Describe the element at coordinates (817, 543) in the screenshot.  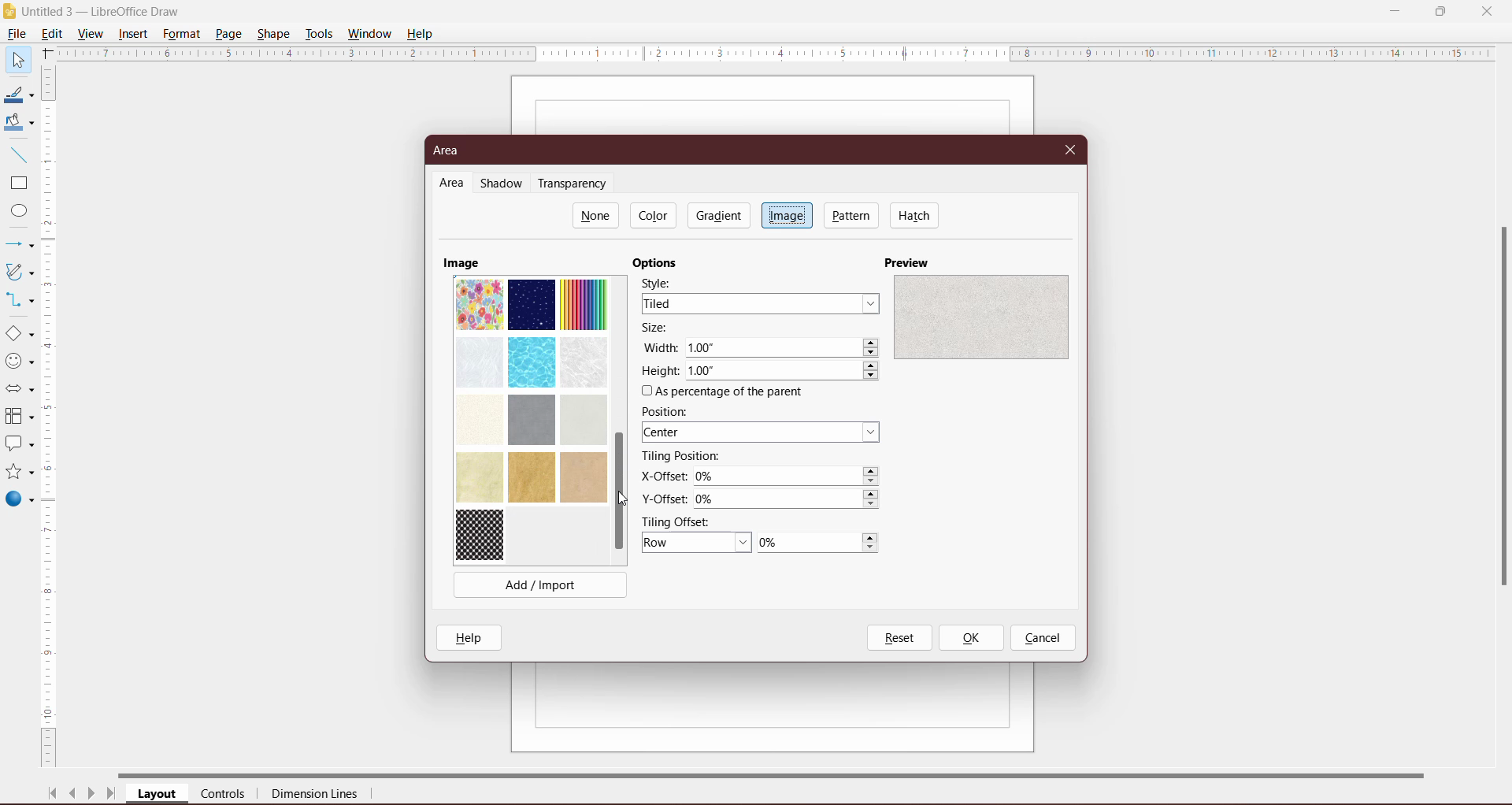
I see `0%` at that location.